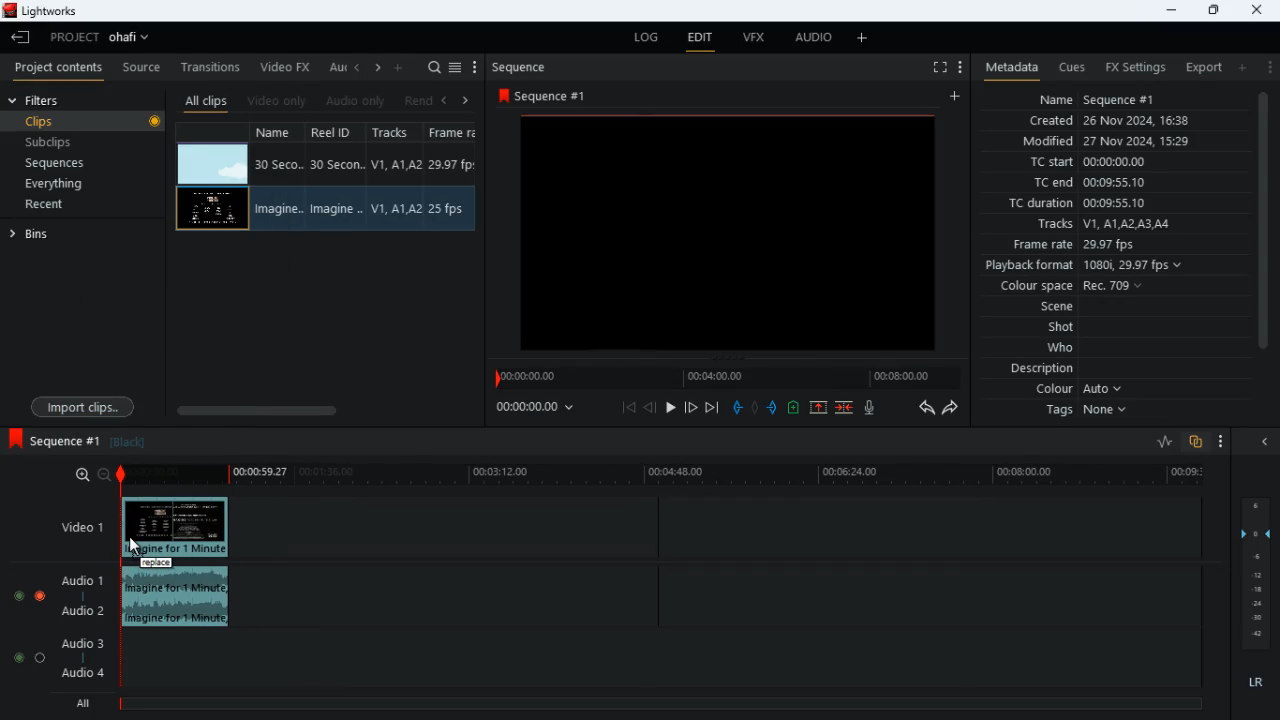 This screenshot has width=1280, height=720. I want to click on colour, so click(1080, 390).